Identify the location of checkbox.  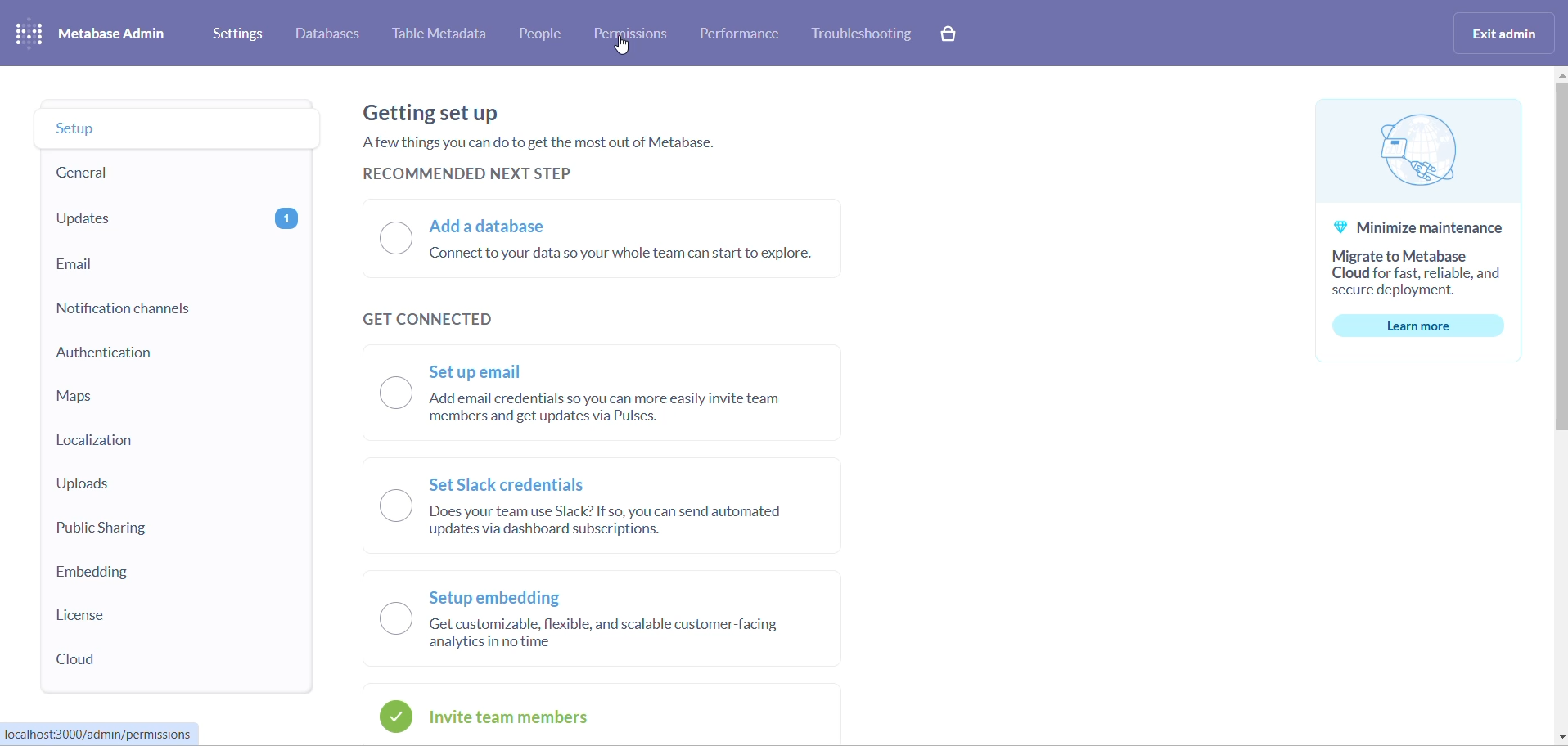
(395, 507).